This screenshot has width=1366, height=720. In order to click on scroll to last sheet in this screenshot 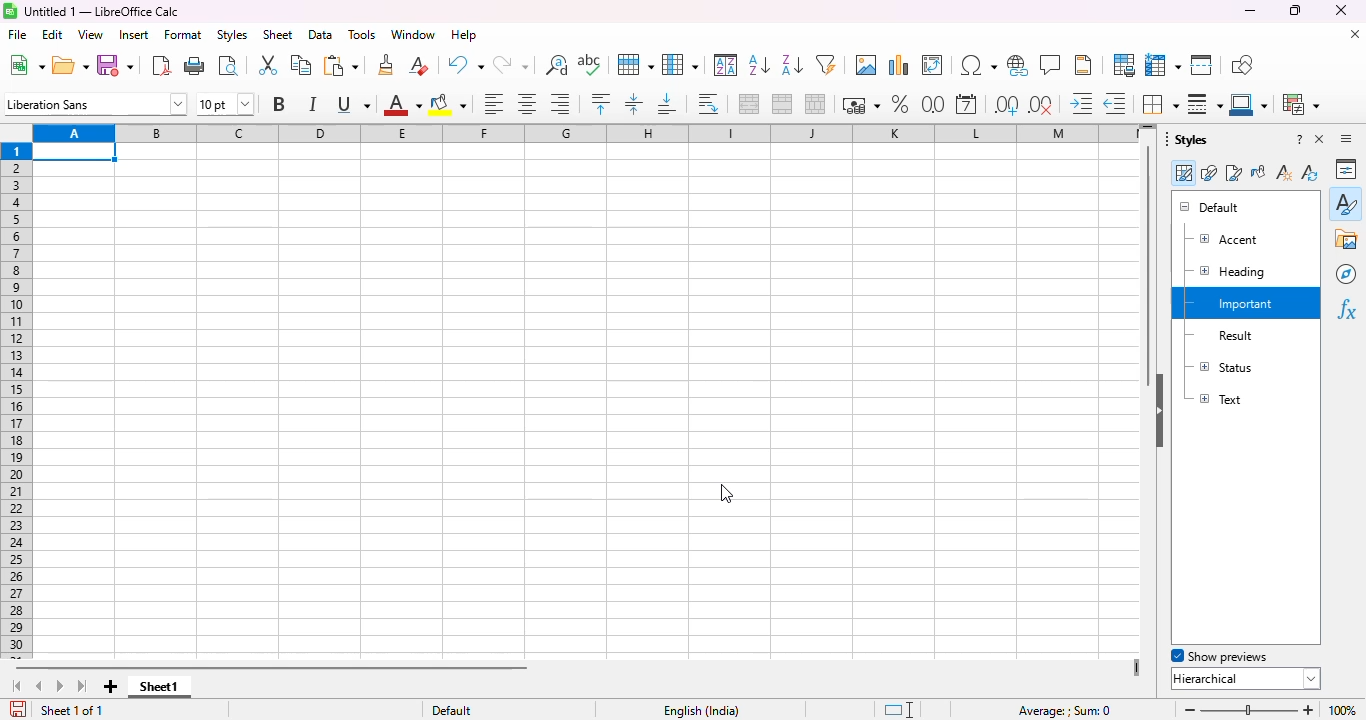, I will do `click(84, 687)`.